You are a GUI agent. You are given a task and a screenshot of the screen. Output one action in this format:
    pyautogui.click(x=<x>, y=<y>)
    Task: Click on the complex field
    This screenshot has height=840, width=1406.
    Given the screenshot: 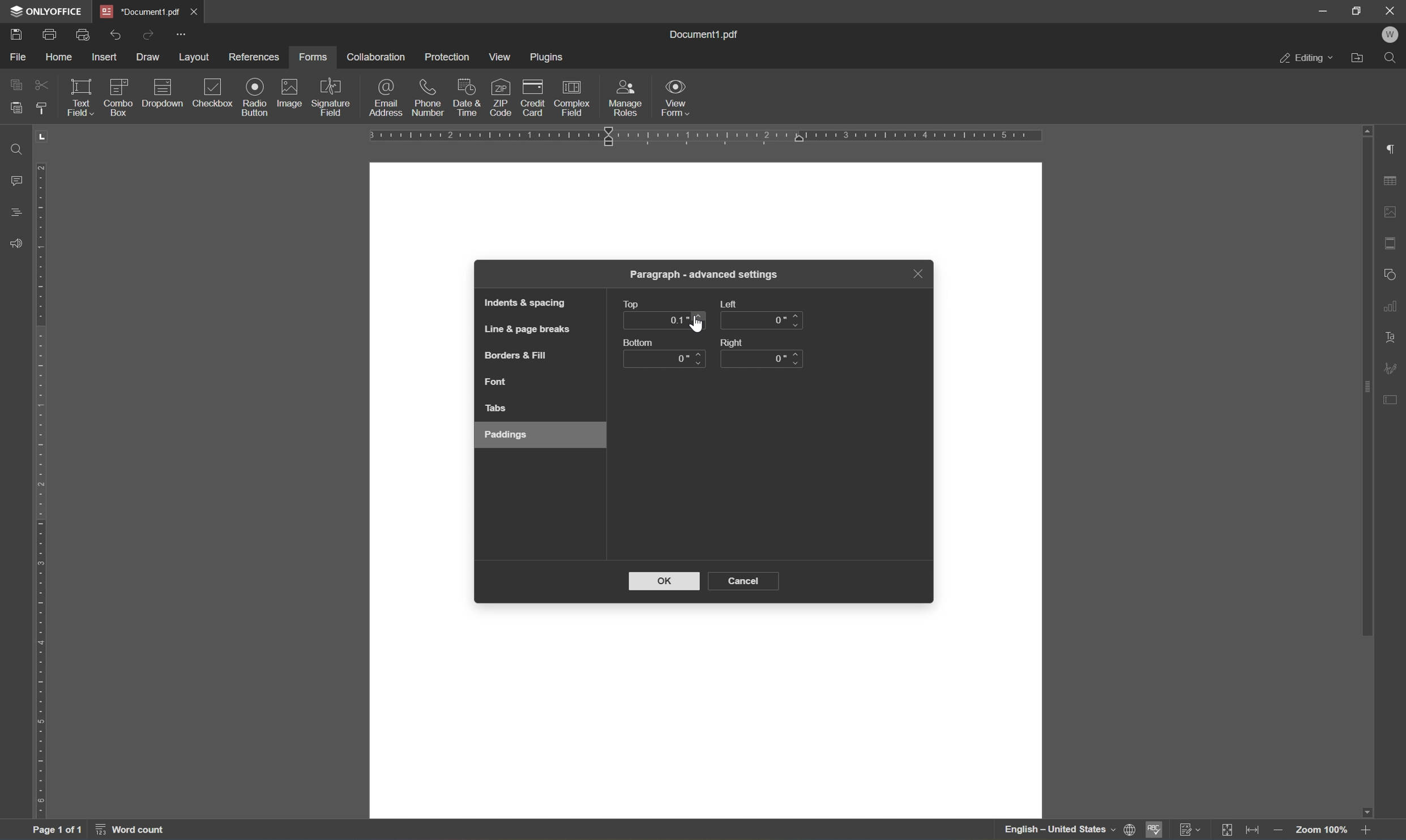 What is the action you would take?
    pyautogui.click(x=573, y=97)
    